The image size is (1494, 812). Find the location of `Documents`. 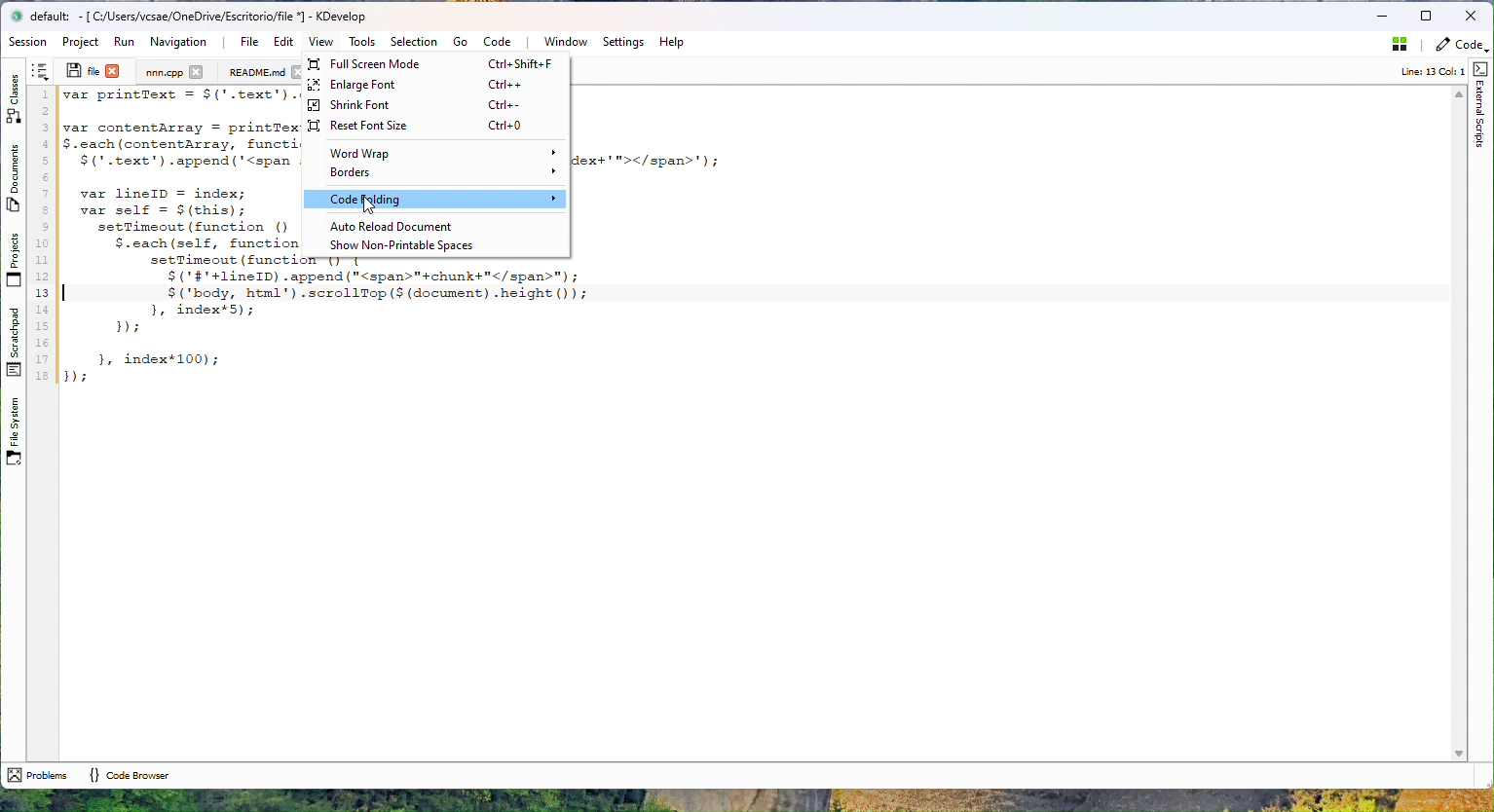

Documents is located at coordinates (15, 181).